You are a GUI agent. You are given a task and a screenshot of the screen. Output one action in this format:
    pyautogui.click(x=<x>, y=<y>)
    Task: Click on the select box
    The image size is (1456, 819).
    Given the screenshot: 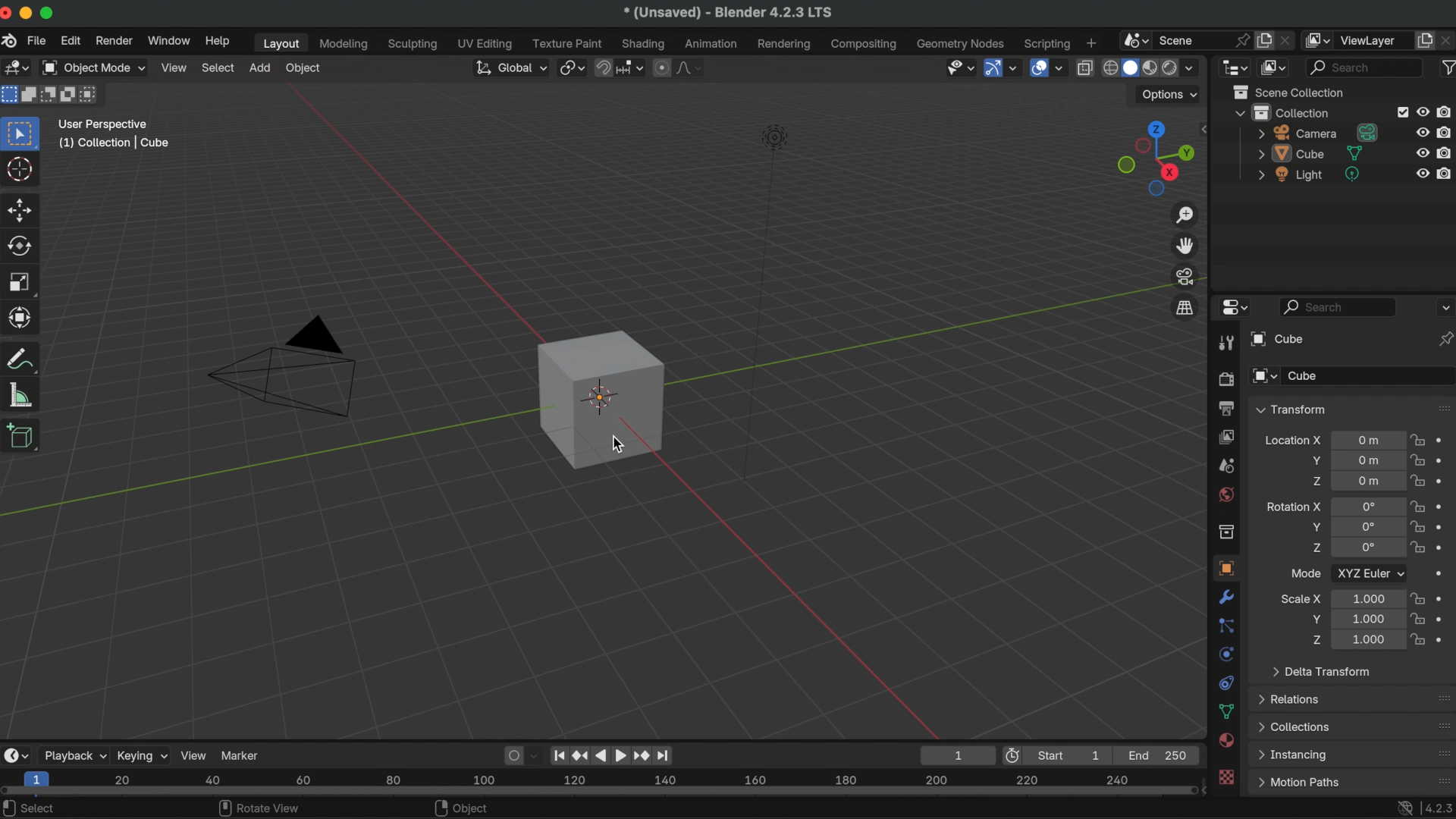 What is the action you would take?
    pyautogui.click(x=23, y=133)
    